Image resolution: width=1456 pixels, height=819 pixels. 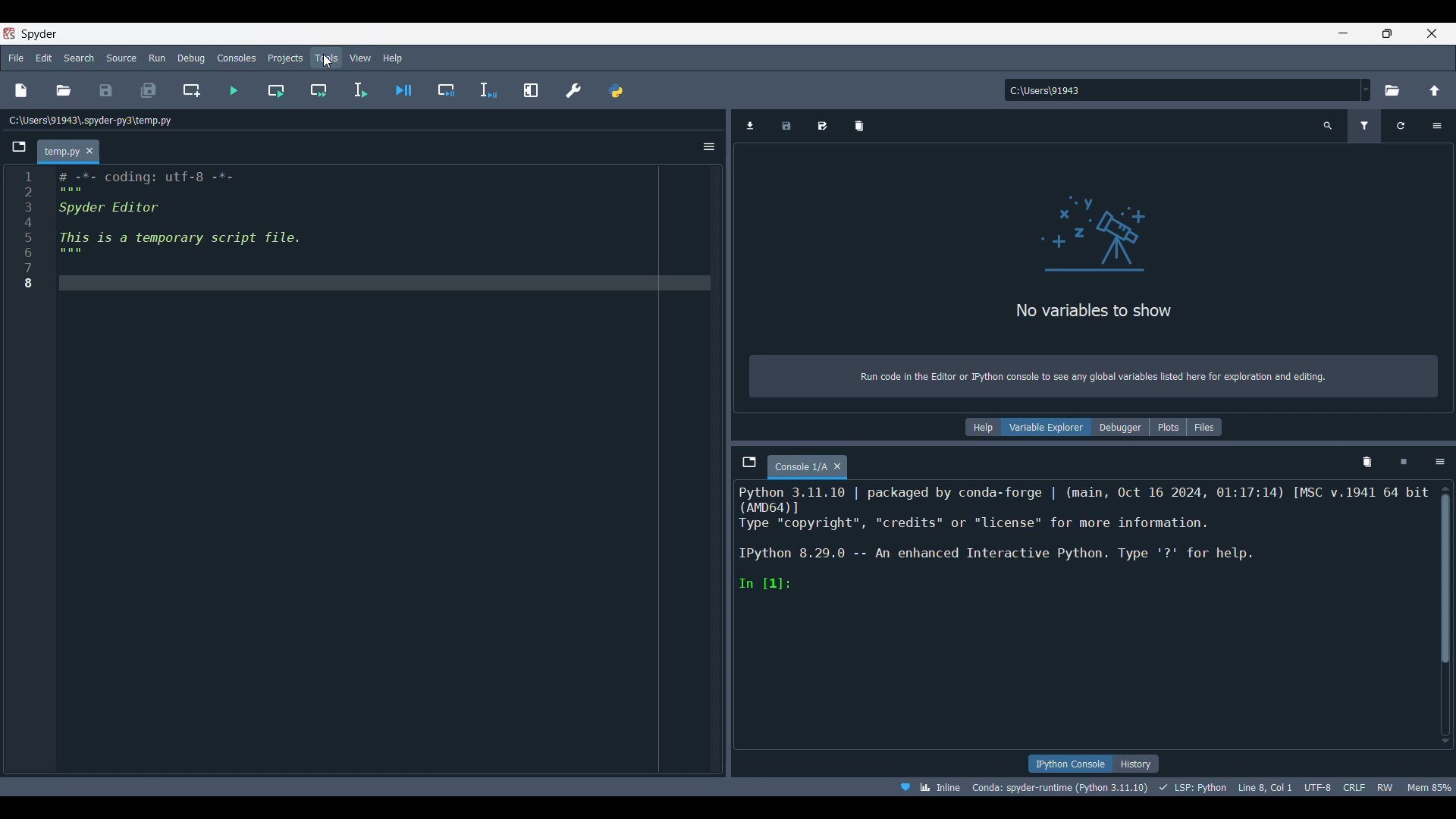 What do you see at coordinates (1097, 276) in the screenshot?
I see `Panel logo and description` at bounding box center [1097, 276].